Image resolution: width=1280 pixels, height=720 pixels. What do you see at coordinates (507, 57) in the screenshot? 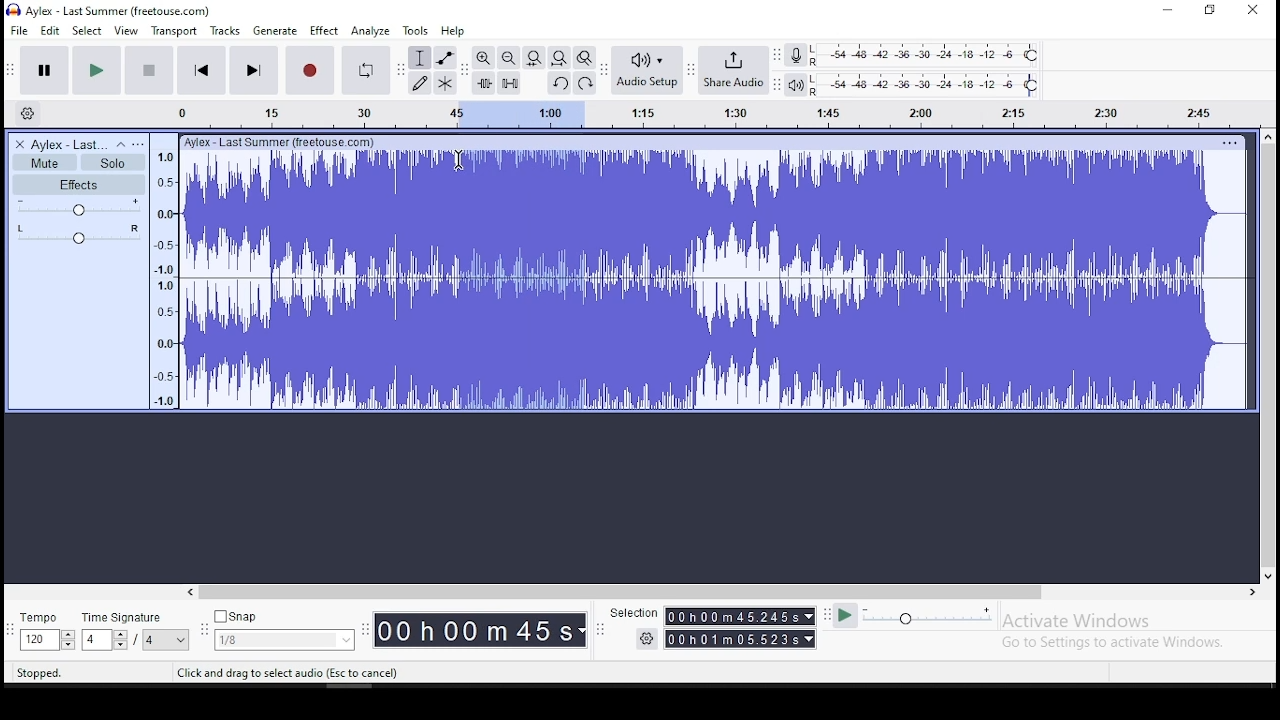
I see `zoom out` at bounding box center [507, 57].